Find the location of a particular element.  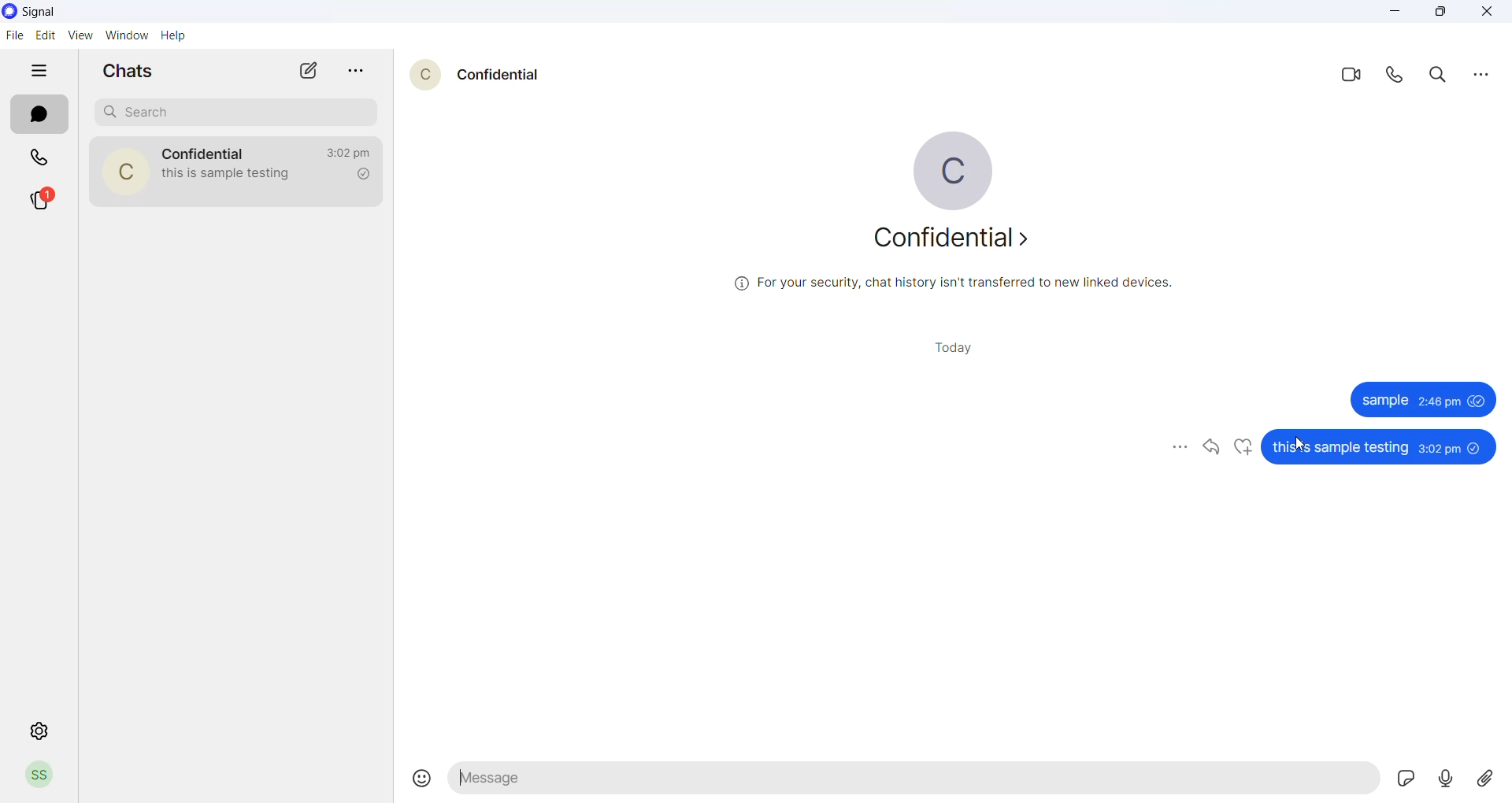

message text area is located at coordinates (913, 782).